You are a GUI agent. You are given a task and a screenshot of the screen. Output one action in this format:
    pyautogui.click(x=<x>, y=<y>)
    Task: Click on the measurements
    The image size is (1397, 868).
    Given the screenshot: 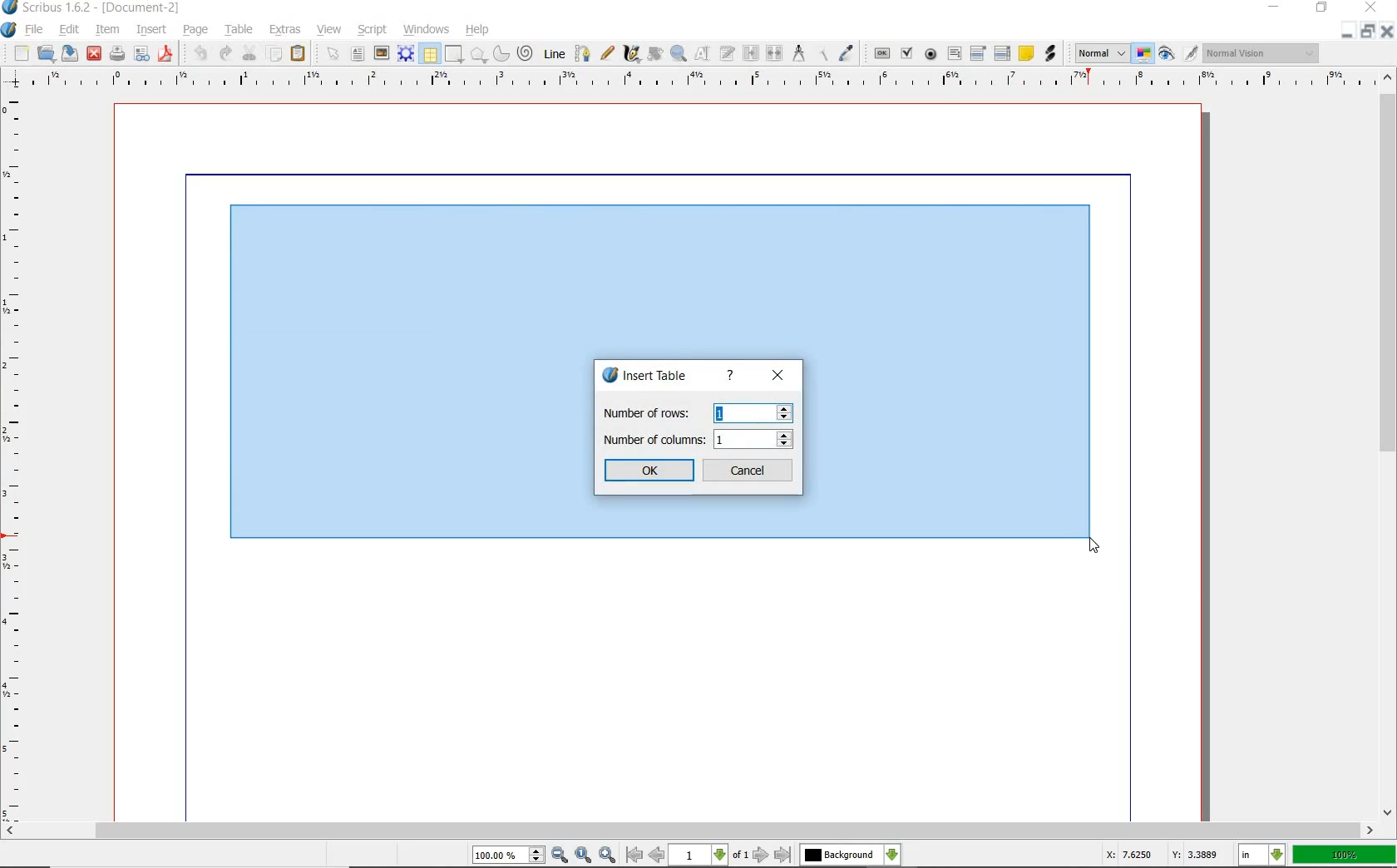 What is the action you would take?
    pyautogui.click(x=799, y=54)
    